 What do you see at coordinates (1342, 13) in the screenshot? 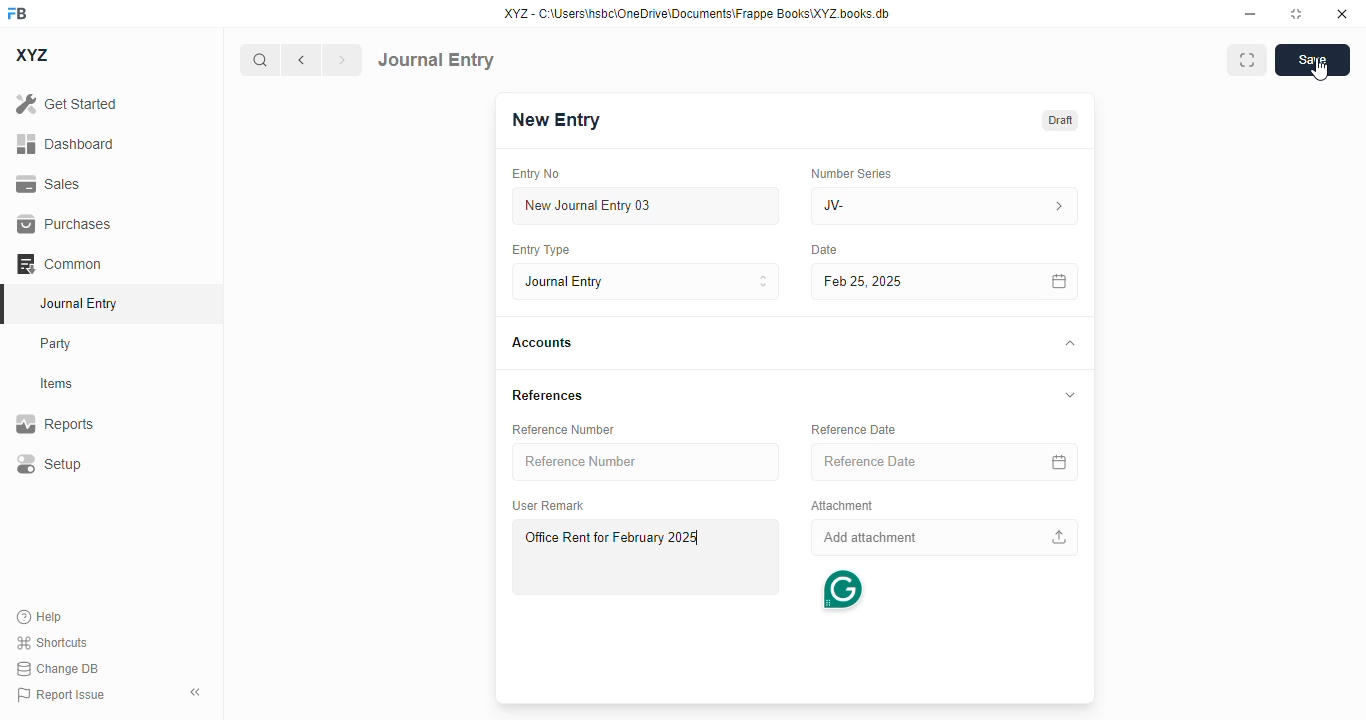
I see `close` at bounding box center [1342, 13].